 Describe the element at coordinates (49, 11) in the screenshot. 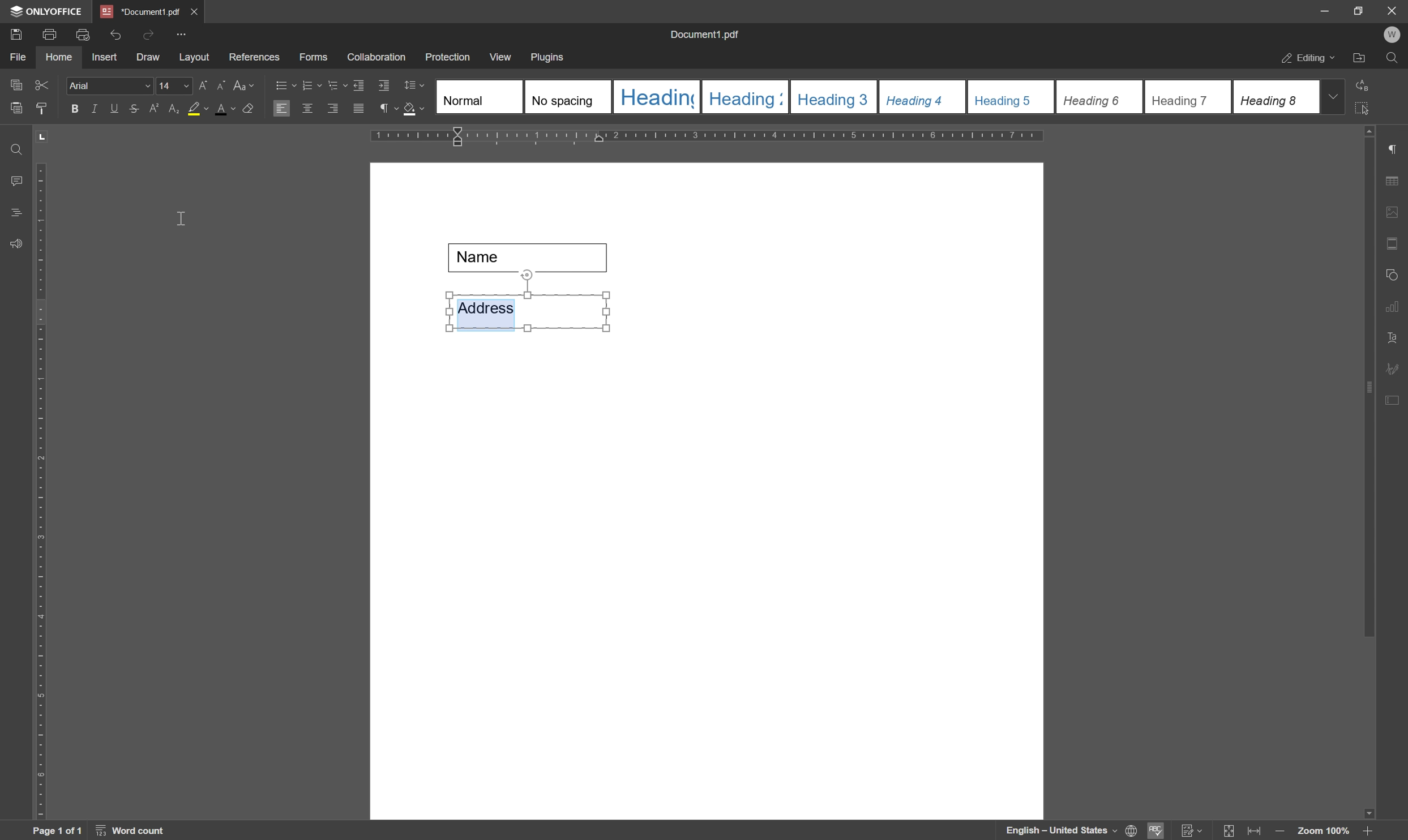

I see `onlyoffice` at that location.